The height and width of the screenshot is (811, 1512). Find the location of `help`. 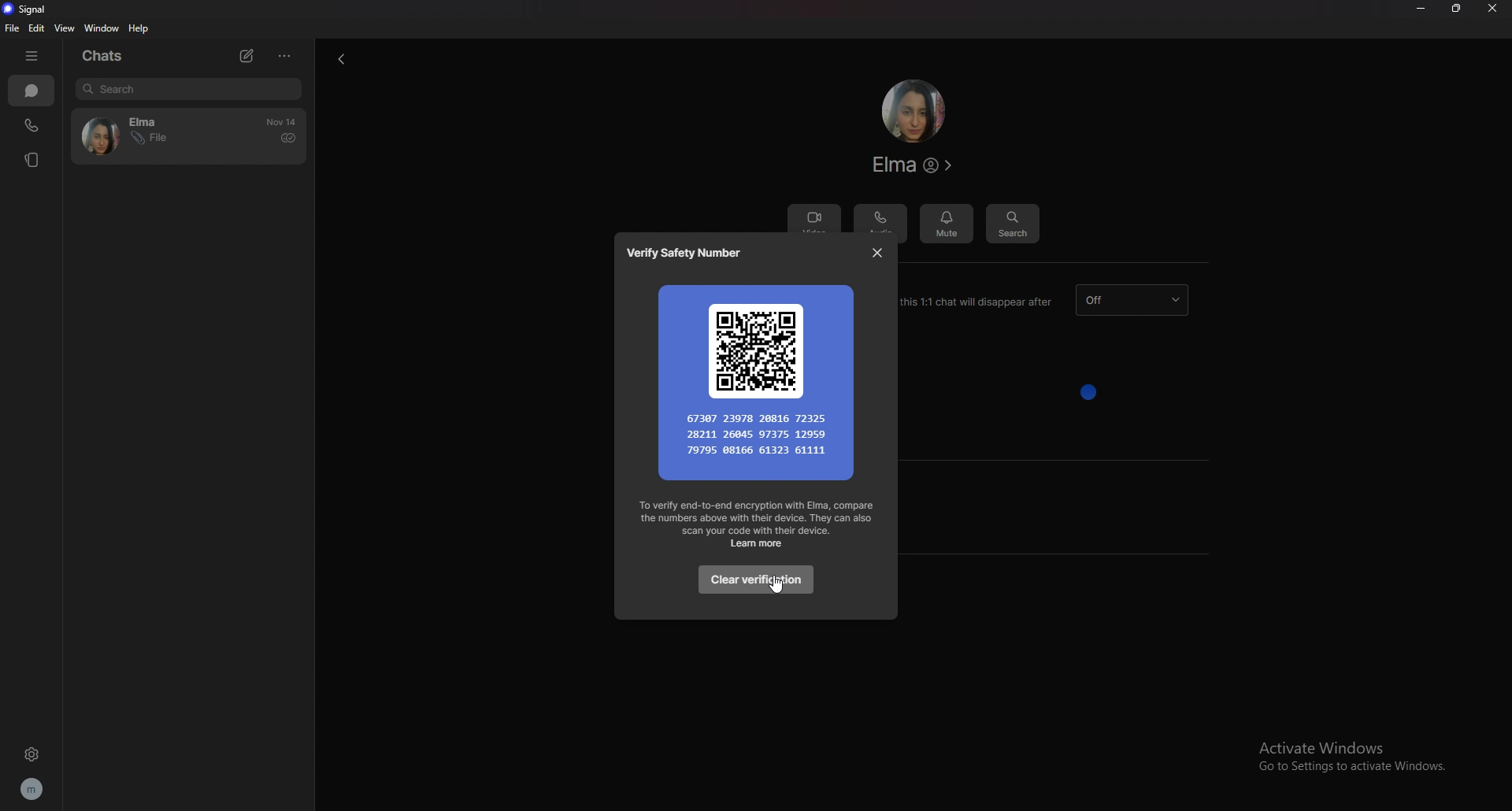

help is located at coordinates (140, 29).